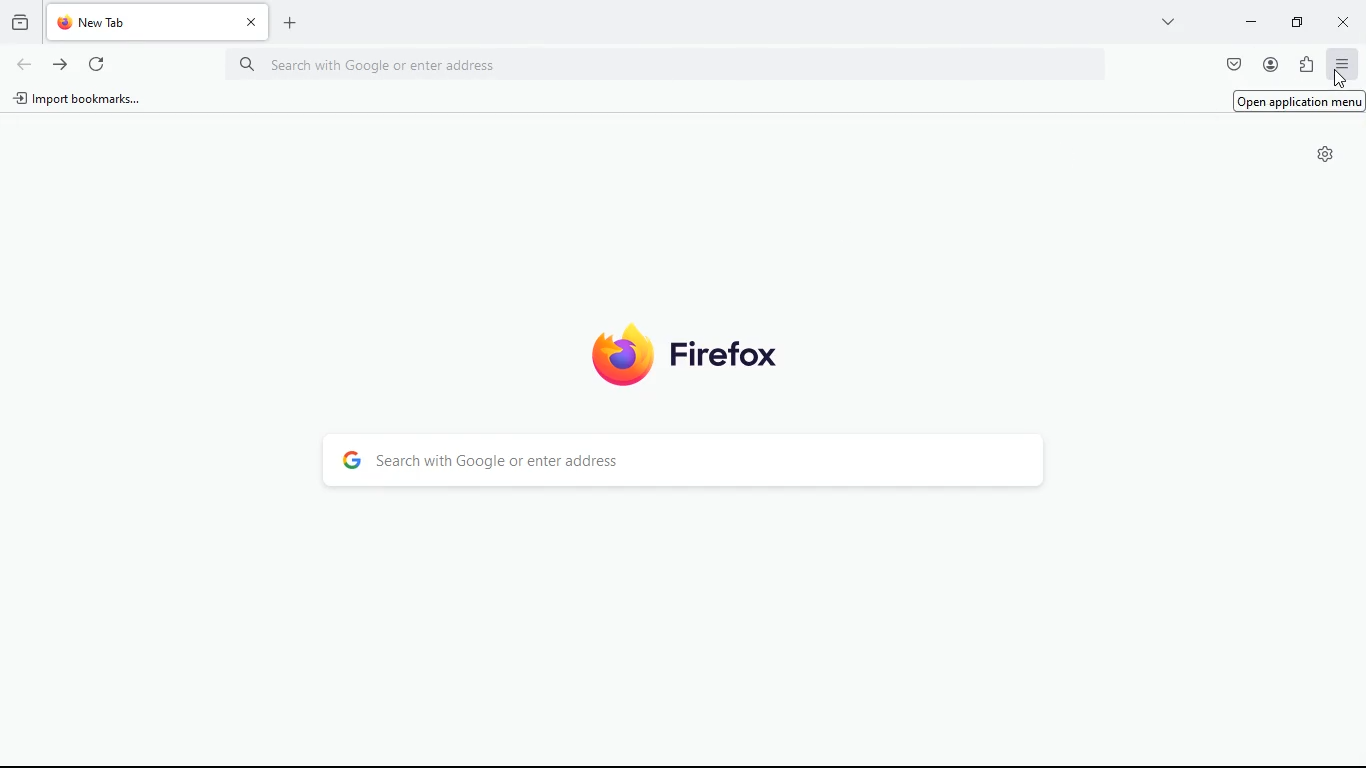 The image size is (1366, 768). Describe the element at coordinates (1300, 101) in the screenshot. I see `Open application menu` at that location.